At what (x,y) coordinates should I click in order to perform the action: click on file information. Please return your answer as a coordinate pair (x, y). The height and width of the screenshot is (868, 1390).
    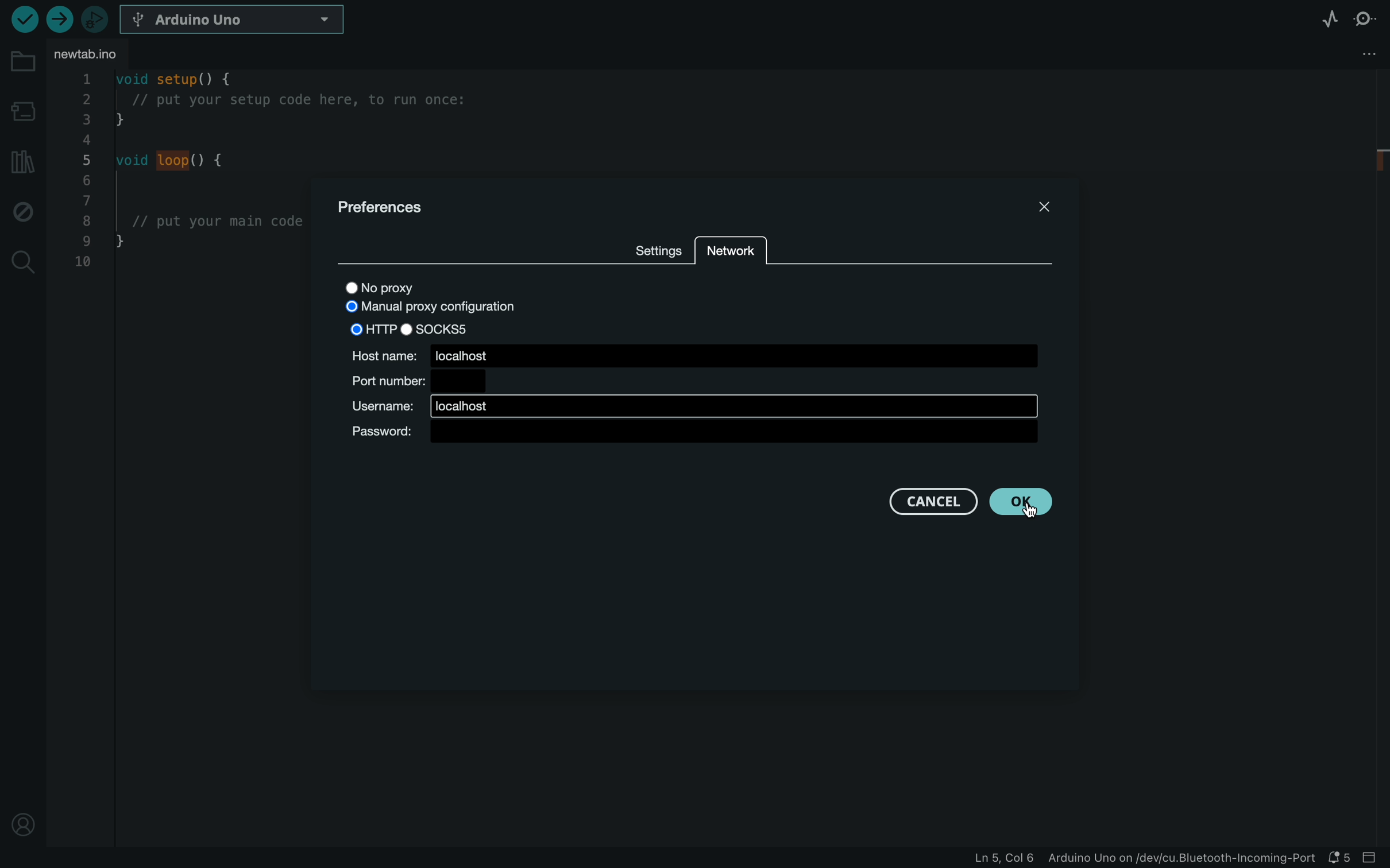
    Looking at the image, I should click on (1142, 857).